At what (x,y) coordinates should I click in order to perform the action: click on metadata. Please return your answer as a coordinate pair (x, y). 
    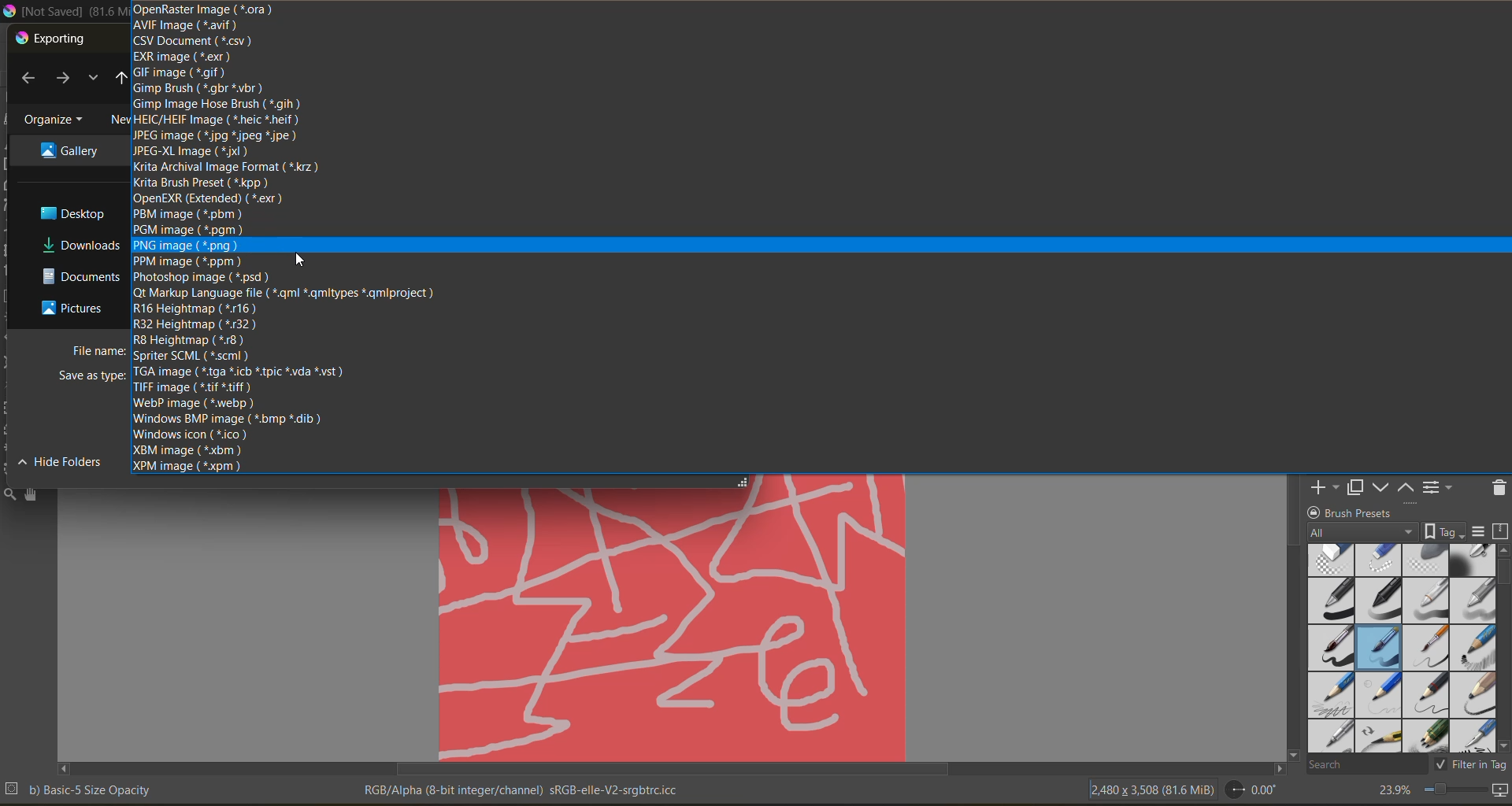
    Looking at the image, I should click on (80, 789).